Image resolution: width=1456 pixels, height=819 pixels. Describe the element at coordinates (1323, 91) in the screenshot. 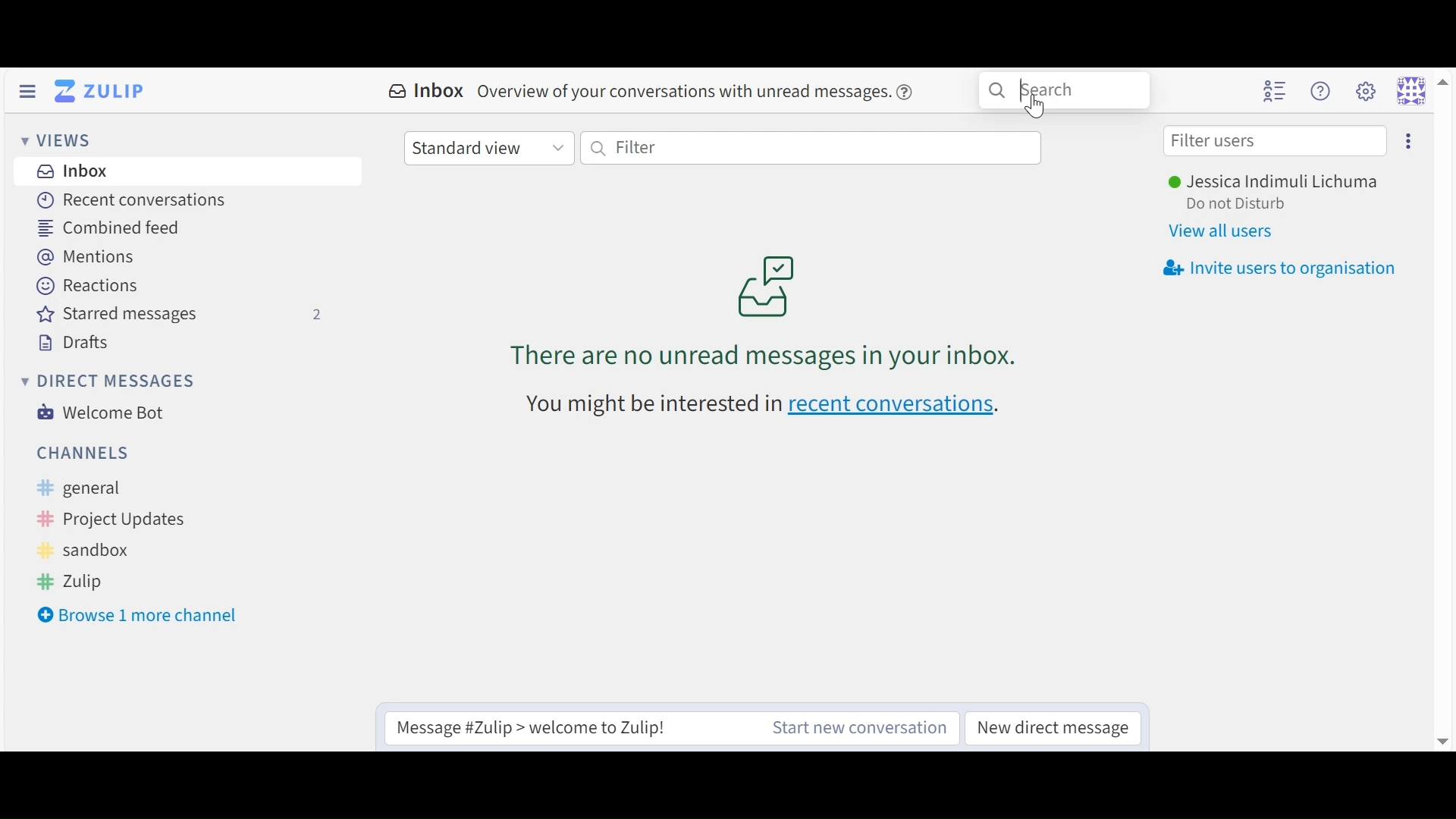

I see `Help menu` at that location.